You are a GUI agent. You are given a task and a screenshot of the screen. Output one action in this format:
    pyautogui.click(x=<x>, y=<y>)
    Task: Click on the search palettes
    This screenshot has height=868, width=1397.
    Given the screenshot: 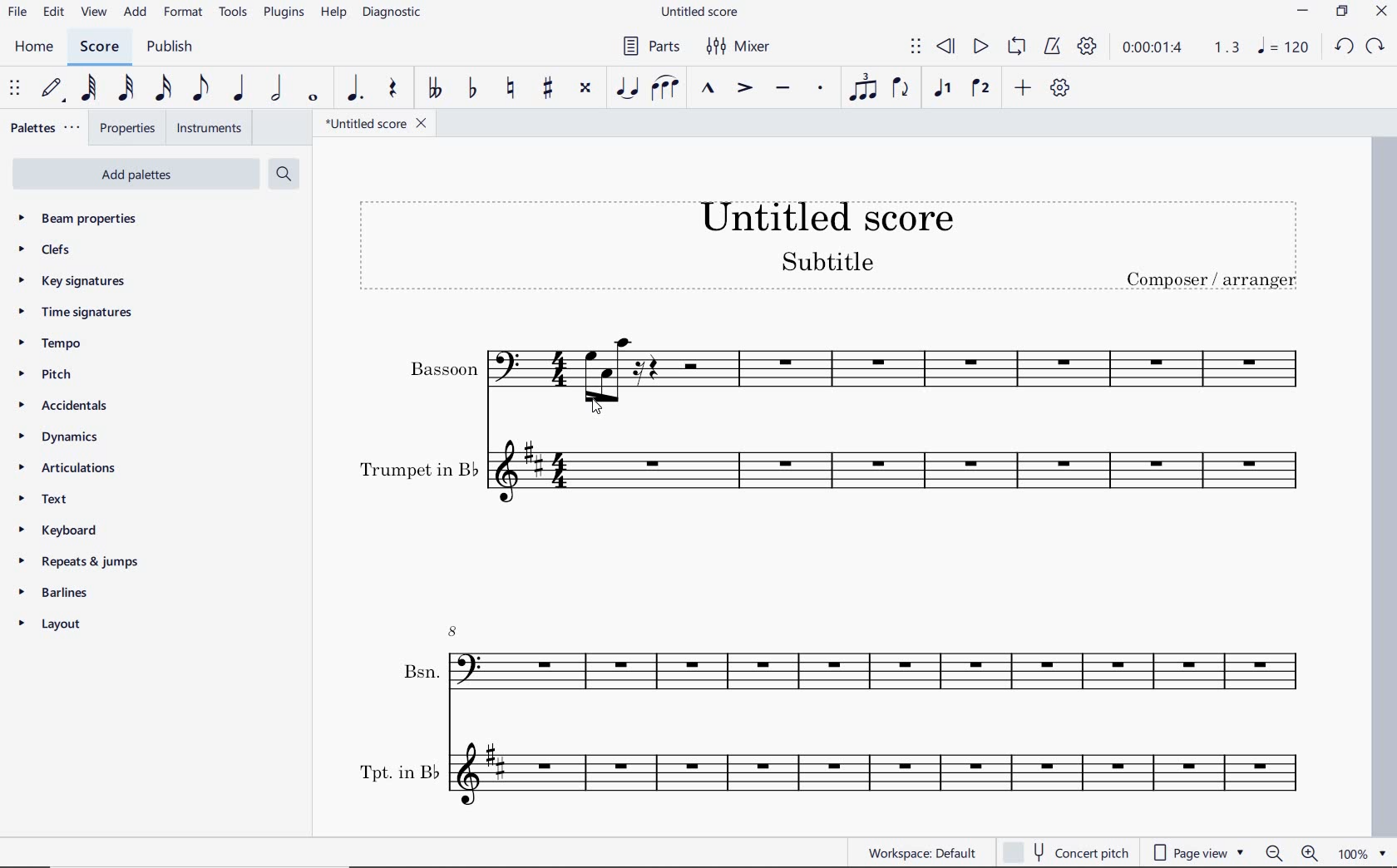 What is the action you would take?
    pyautogui.click(x=285, y=174)
    